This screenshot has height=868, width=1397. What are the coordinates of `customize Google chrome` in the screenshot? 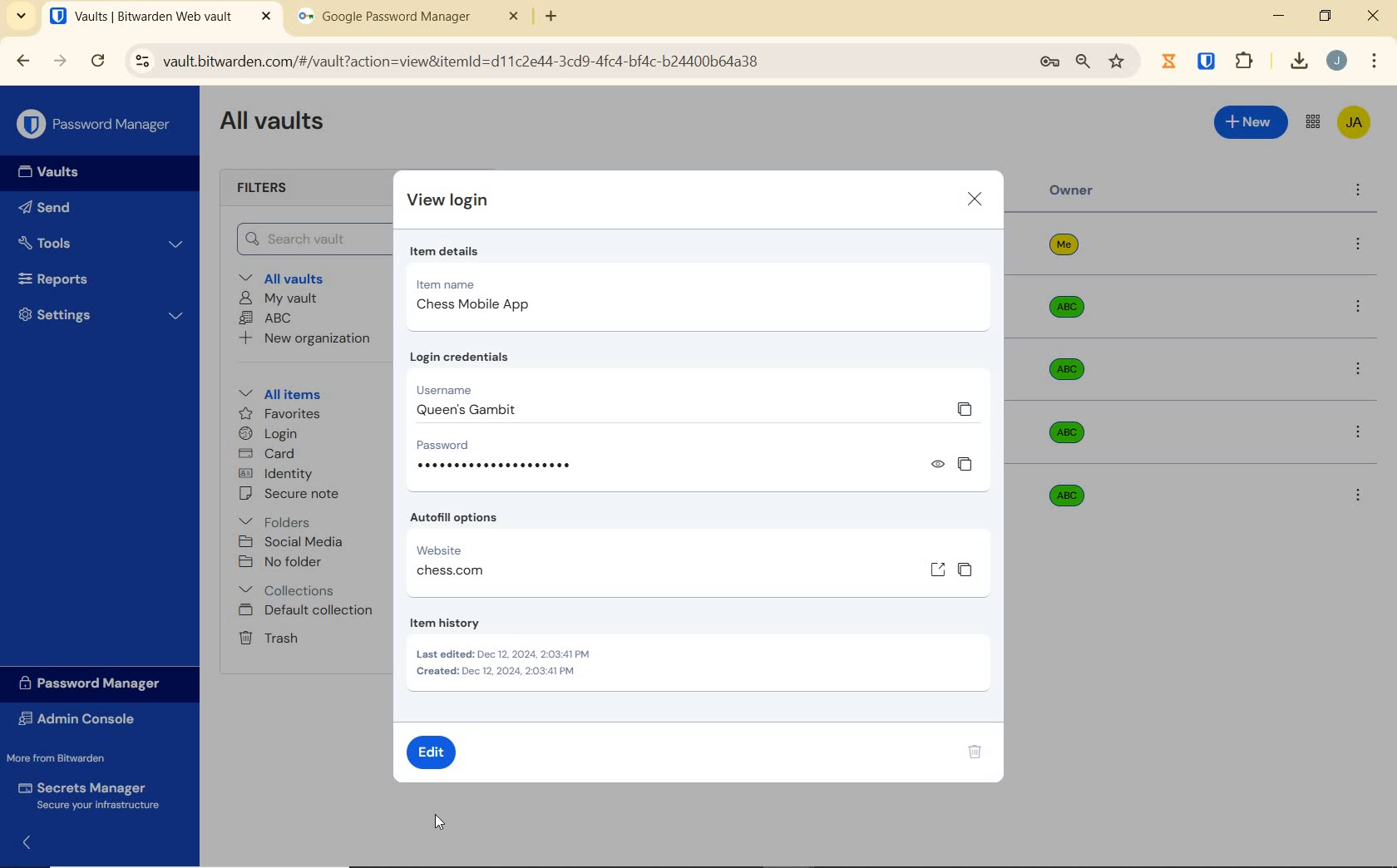 It's located at (1375, 62).